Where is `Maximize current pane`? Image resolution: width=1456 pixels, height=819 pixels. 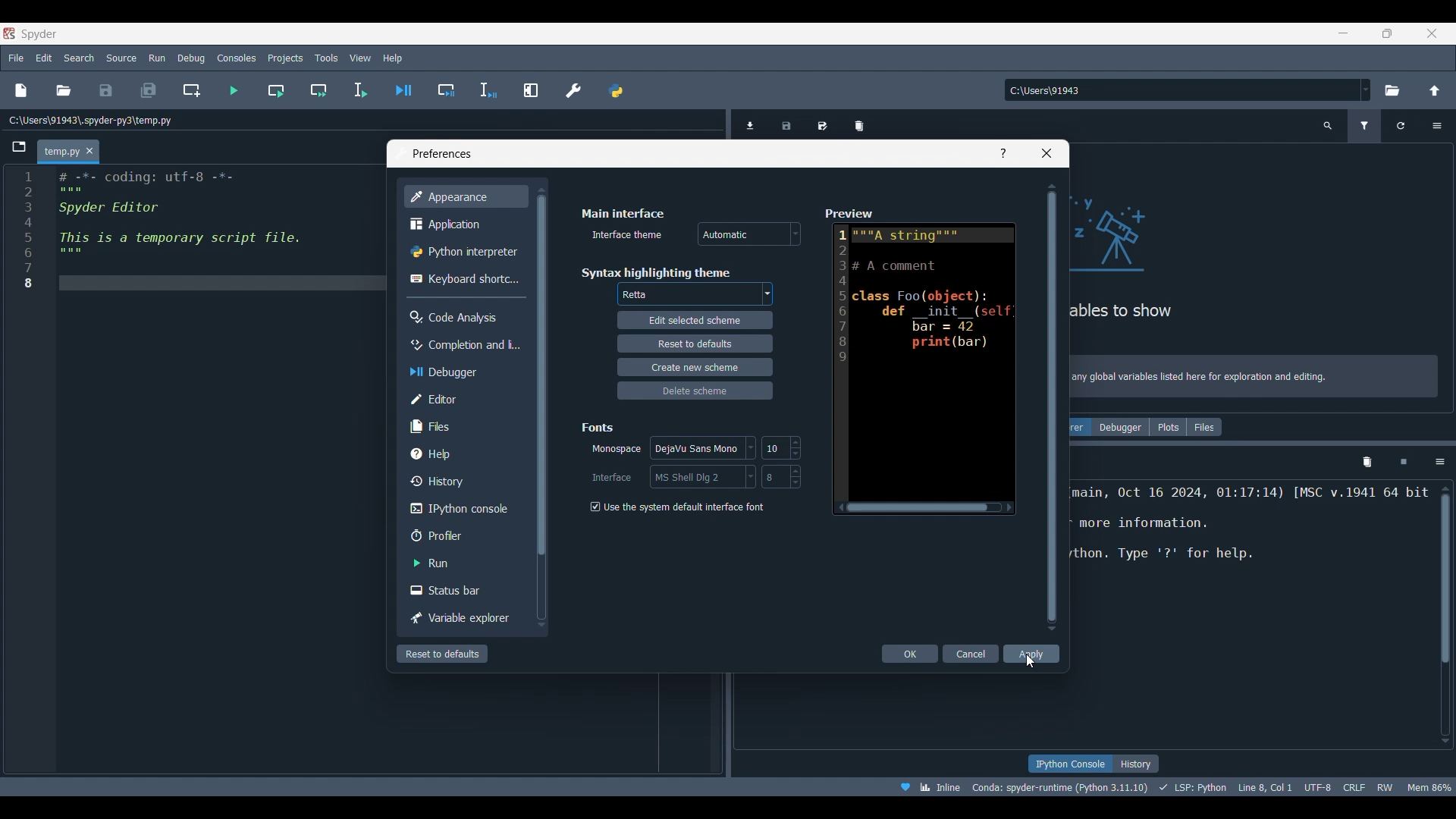
Maximize current pane is located at coordinates (531, 89).